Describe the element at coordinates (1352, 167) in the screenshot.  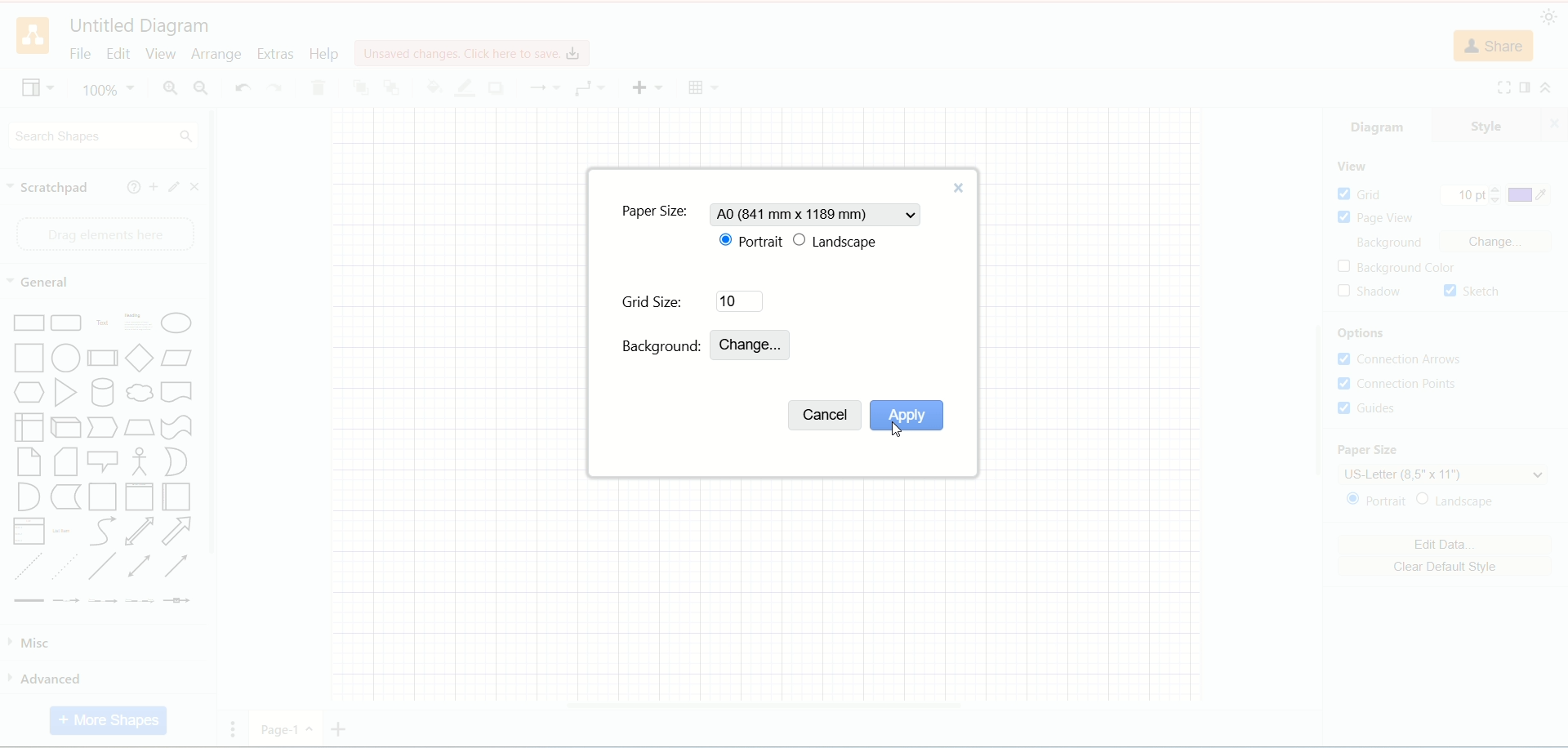
I see `view` at that location.